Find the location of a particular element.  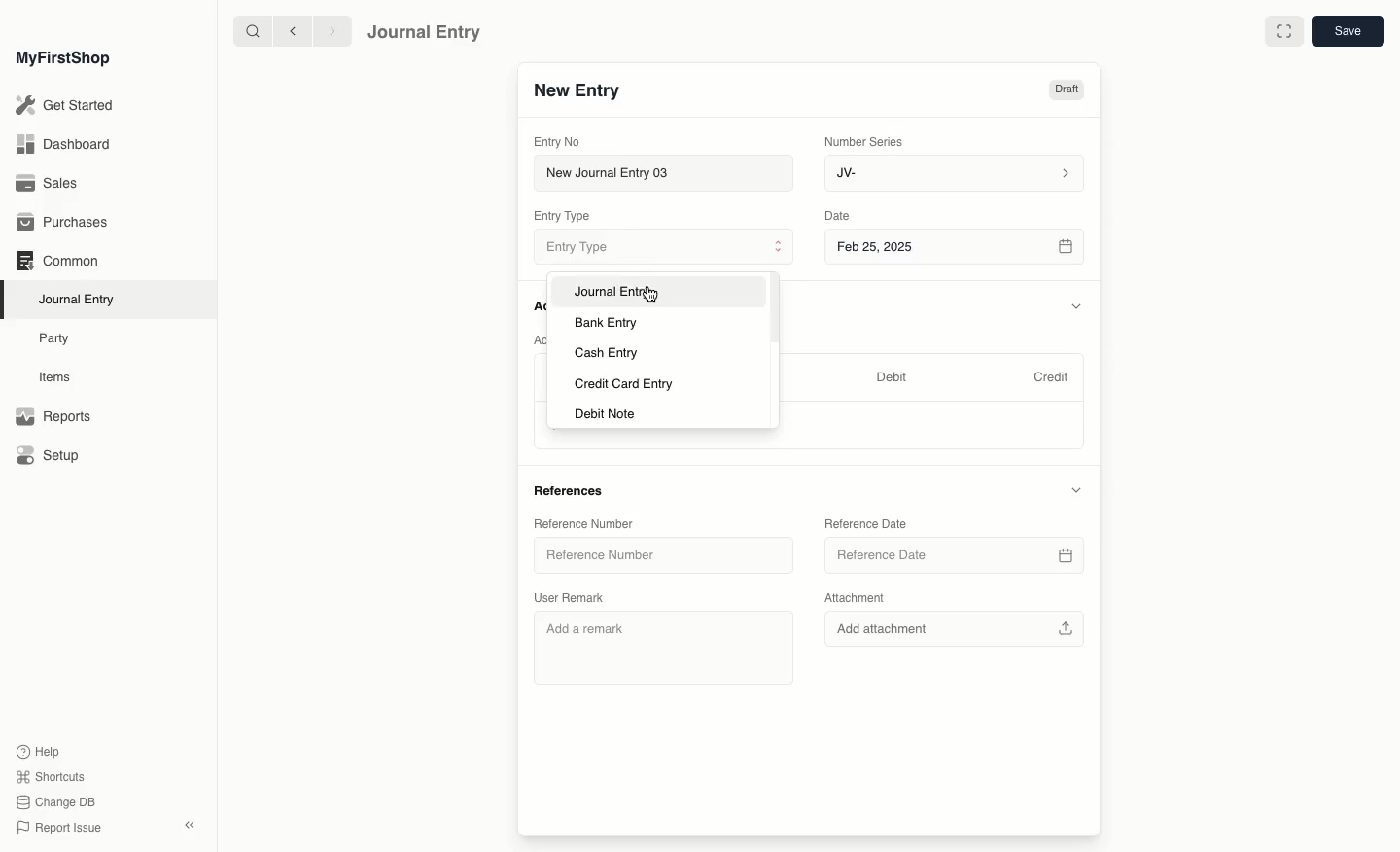

Reference Date is located at coordinates (954, 557).